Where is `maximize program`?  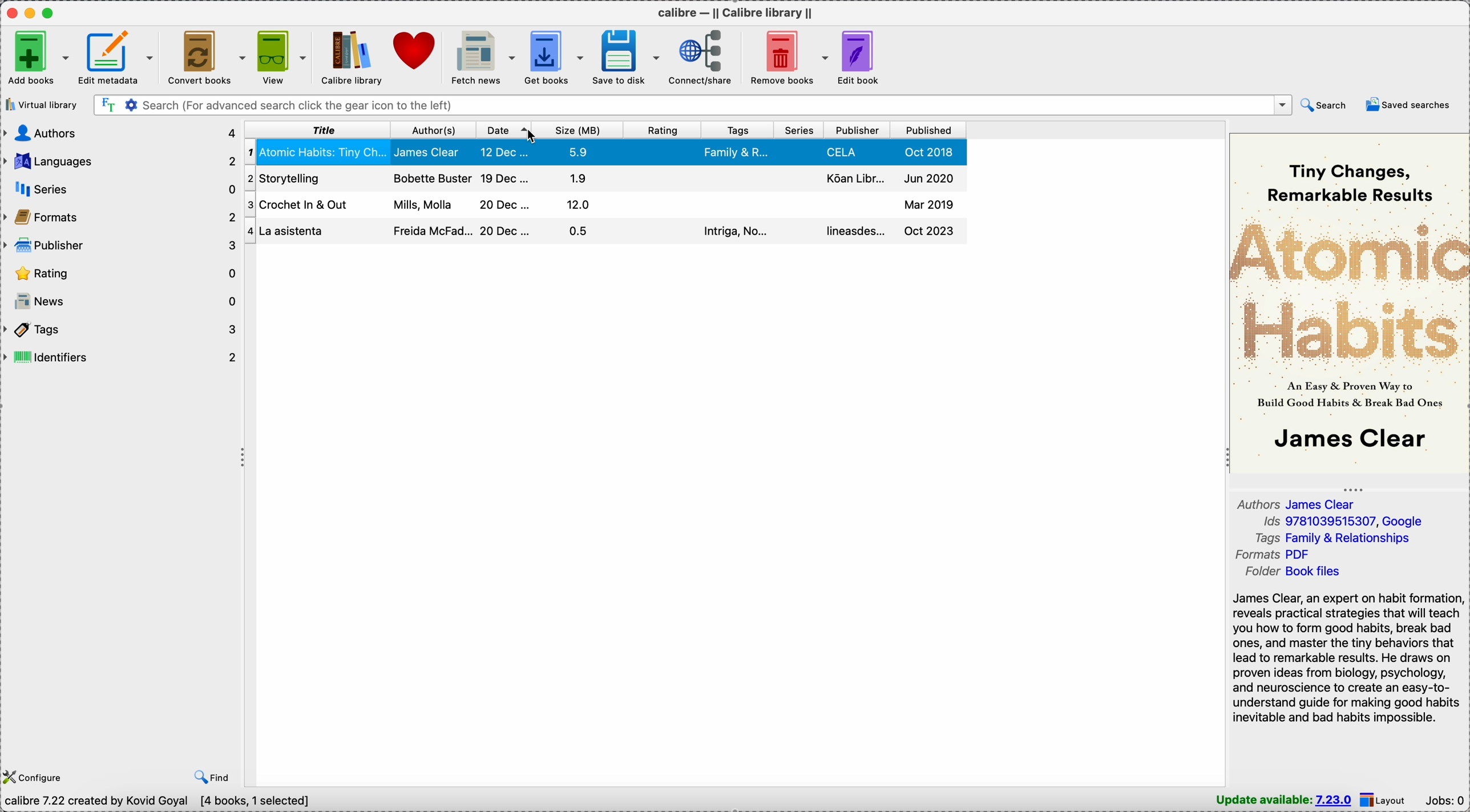 maximize program is located at coordinates (50, 13).